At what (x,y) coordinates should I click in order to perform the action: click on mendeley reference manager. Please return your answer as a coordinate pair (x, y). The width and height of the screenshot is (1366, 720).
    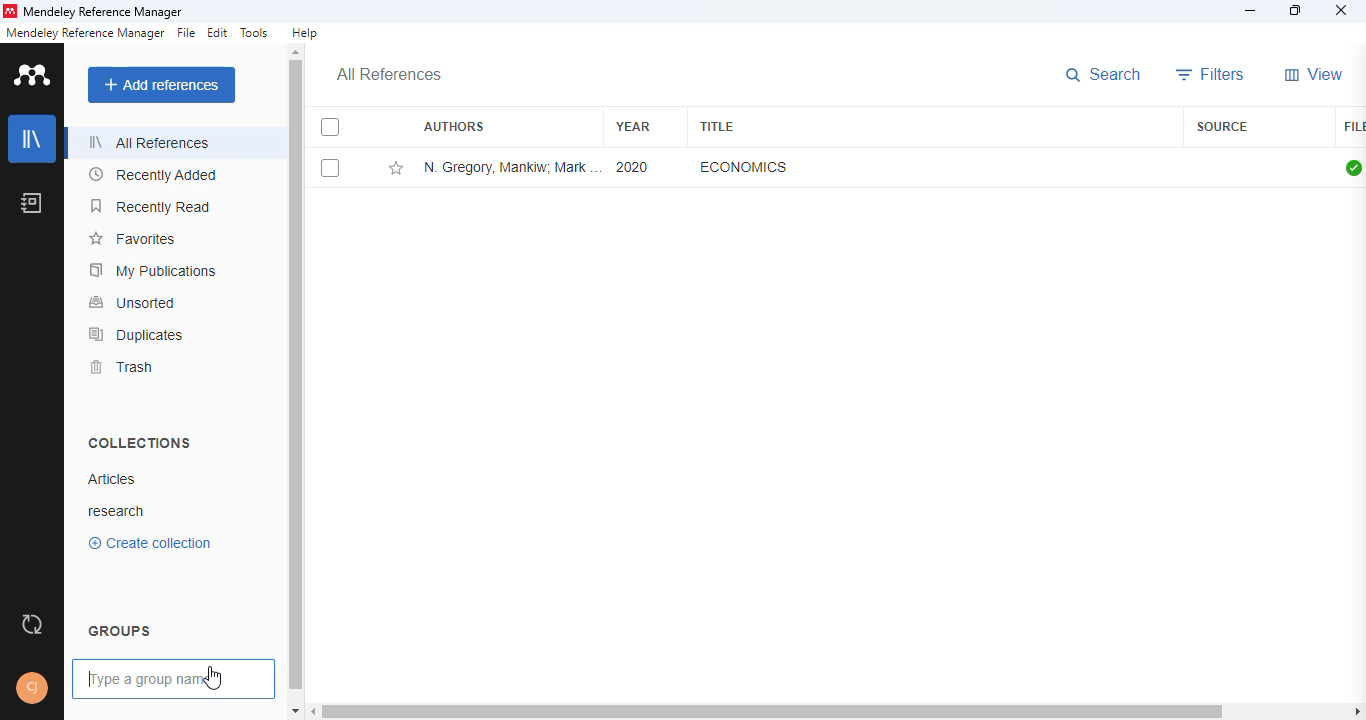
    Looking at the image, I should click on (103, 12).